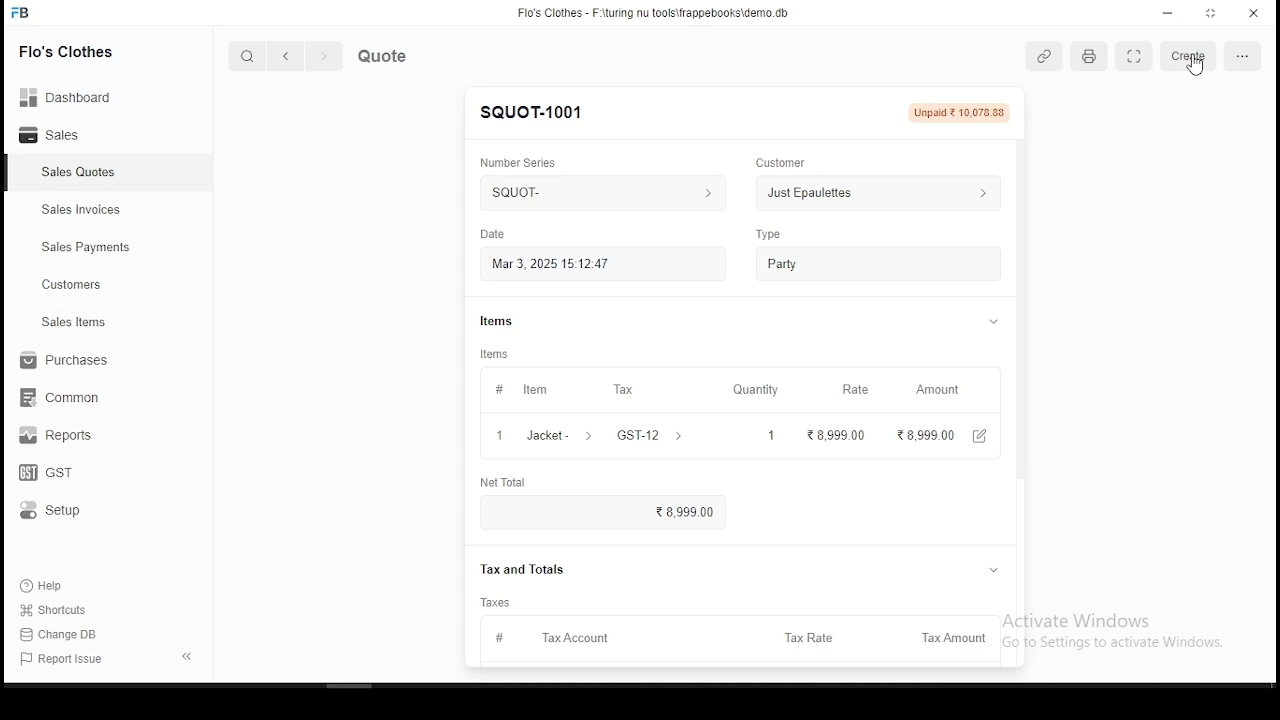  What do you see at coordinates (64, 135) in the screenshot?
I see `sales` at bounding box center [64, 135].